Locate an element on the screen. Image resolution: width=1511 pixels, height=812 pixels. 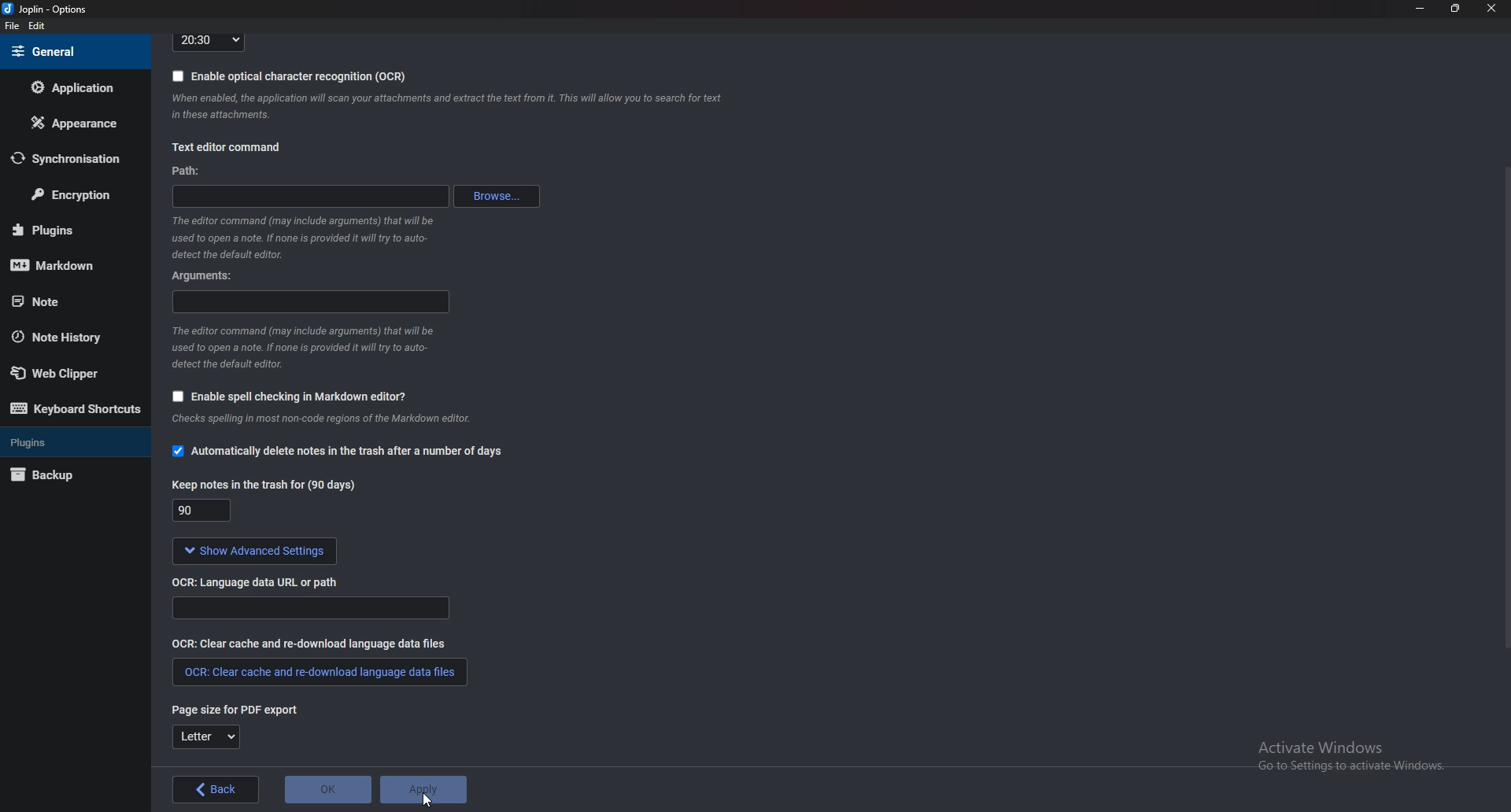
Keep notes in the trash for is located at coordinates (205, 512).